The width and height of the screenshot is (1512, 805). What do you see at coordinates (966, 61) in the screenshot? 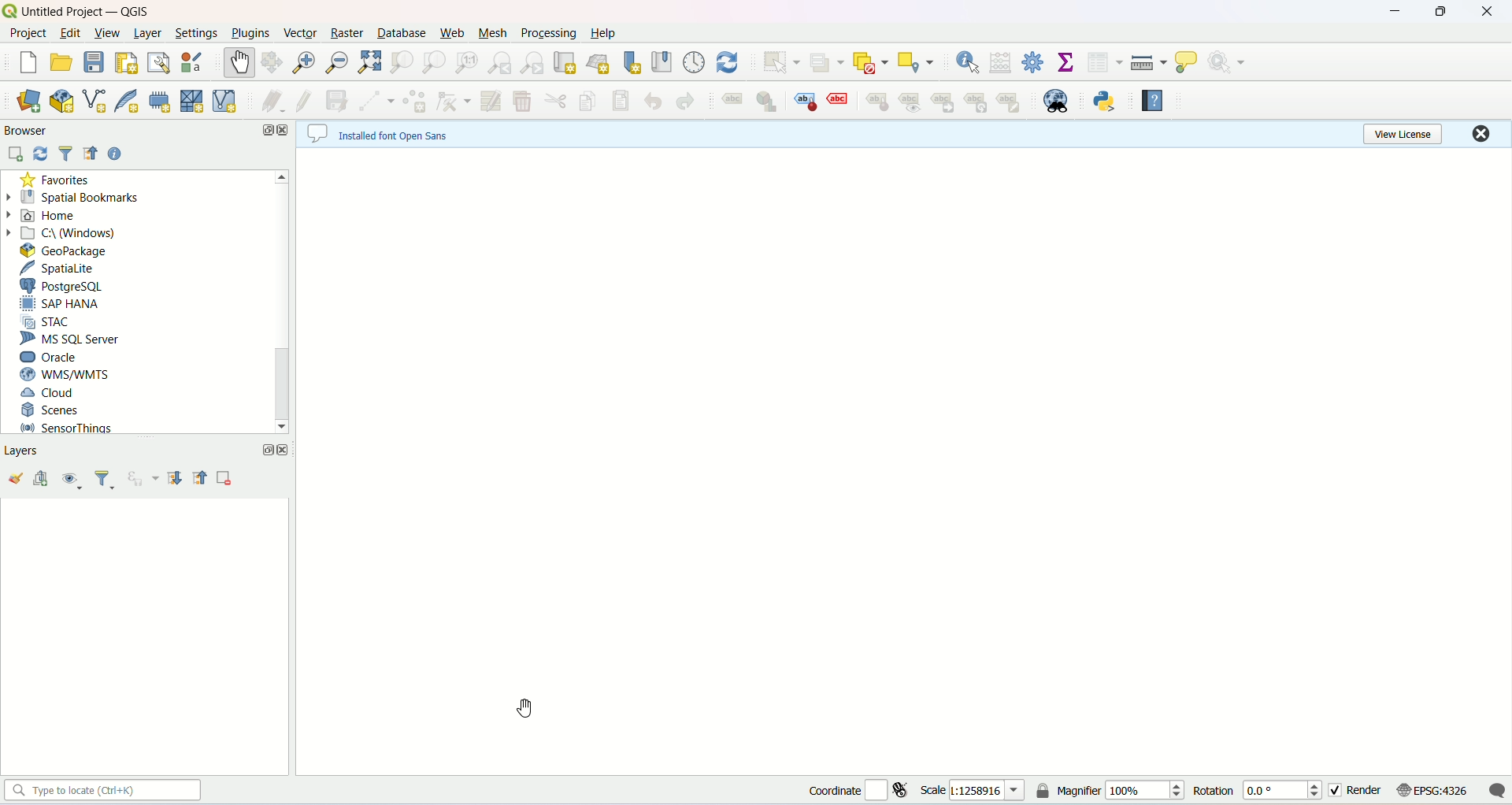
I see `identify features` at bounding box center [966, 61].